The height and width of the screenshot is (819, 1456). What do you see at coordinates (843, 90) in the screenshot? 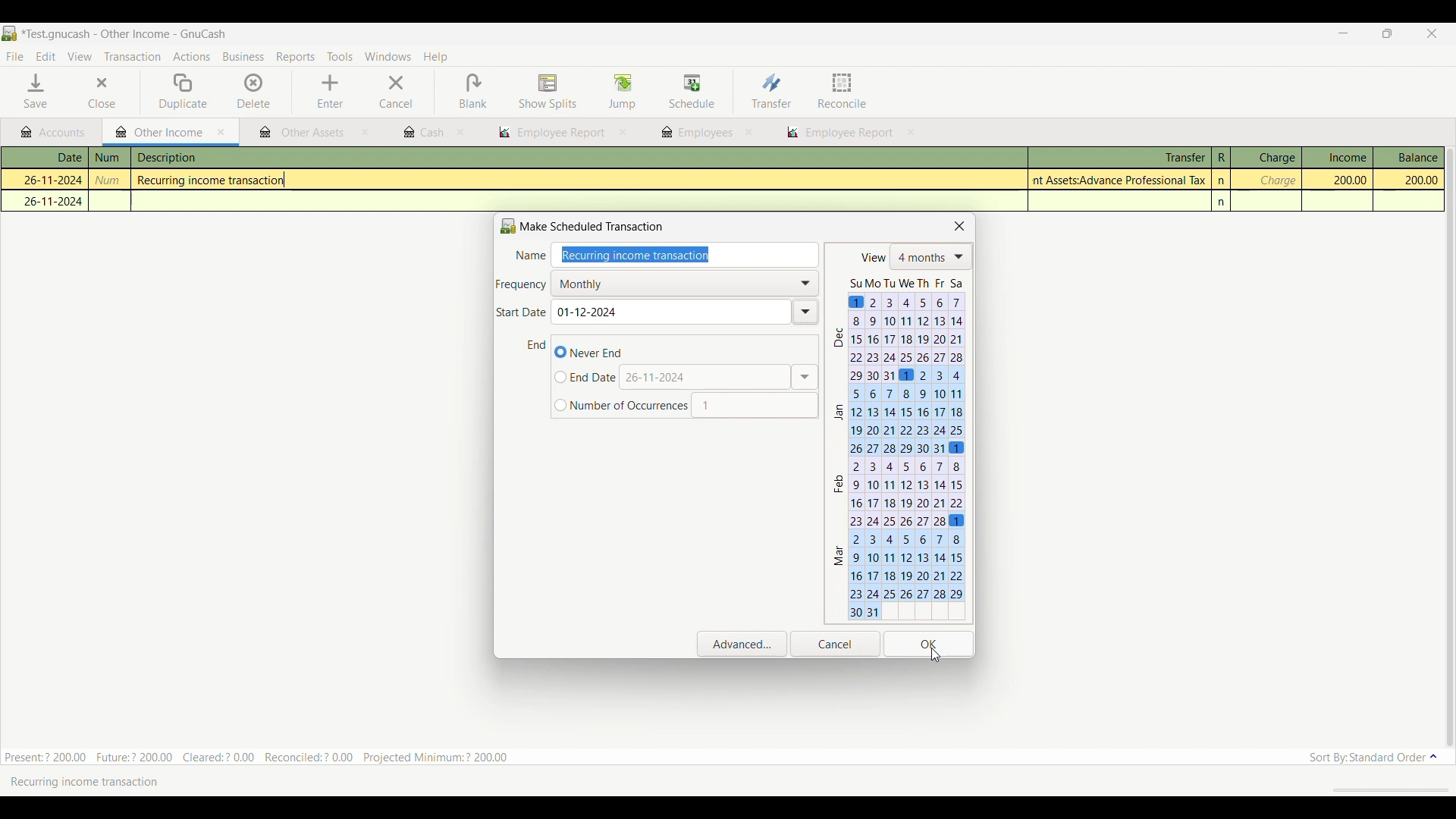
I see `Reconcile` at bounding box center [843, 90].